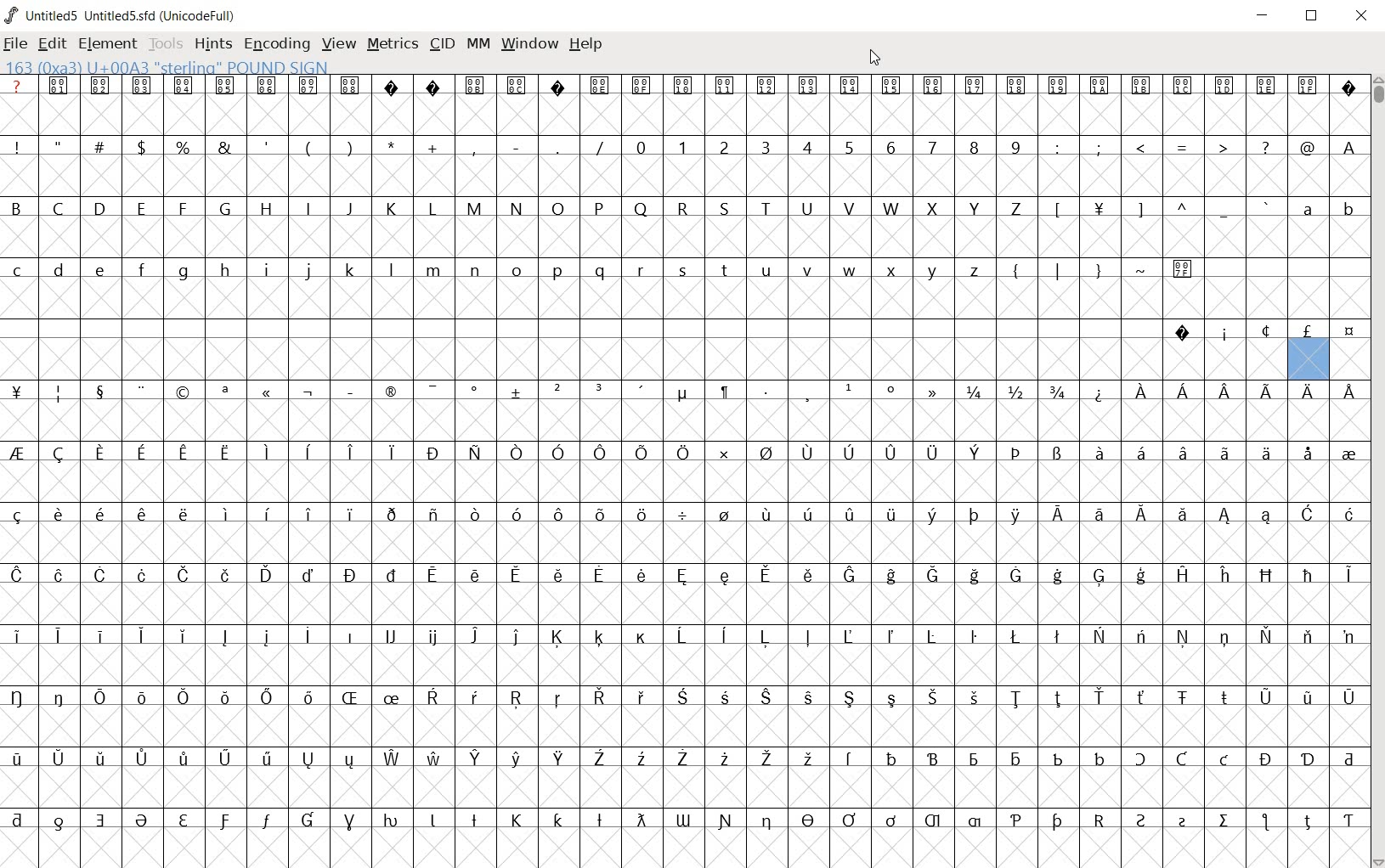 The height and width of the screenshot is (868, 1385). Describe the element at coordinates (61, 85) in the screenshot. I see `Symbol` at that location.